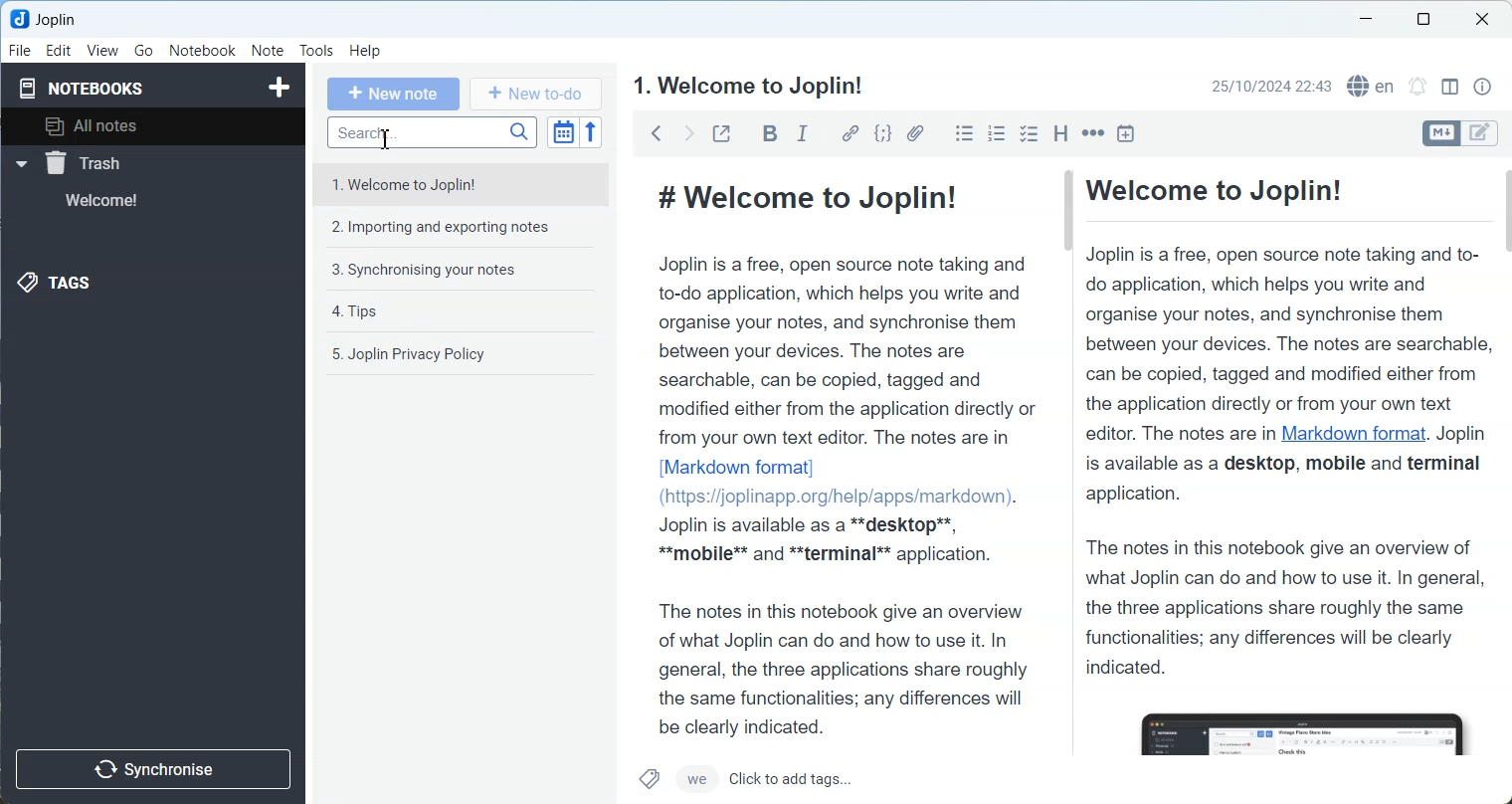 The image size is (1512, 804). What do you see at coordinates (1029, 132) in the screenshot?
I see `Checkbox` at bounding box center [1029, 132].